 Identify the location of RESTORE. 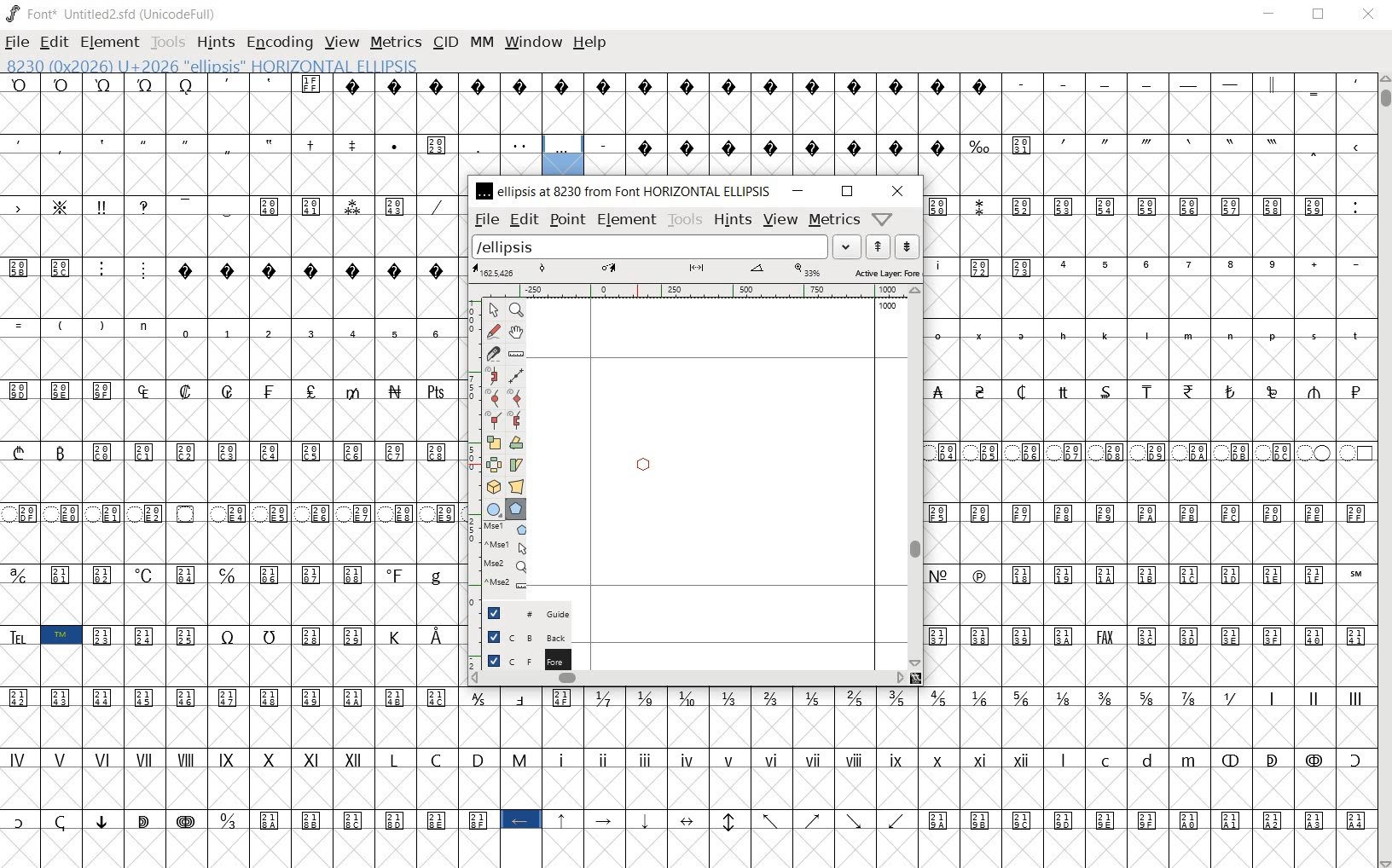
(1319, 14).